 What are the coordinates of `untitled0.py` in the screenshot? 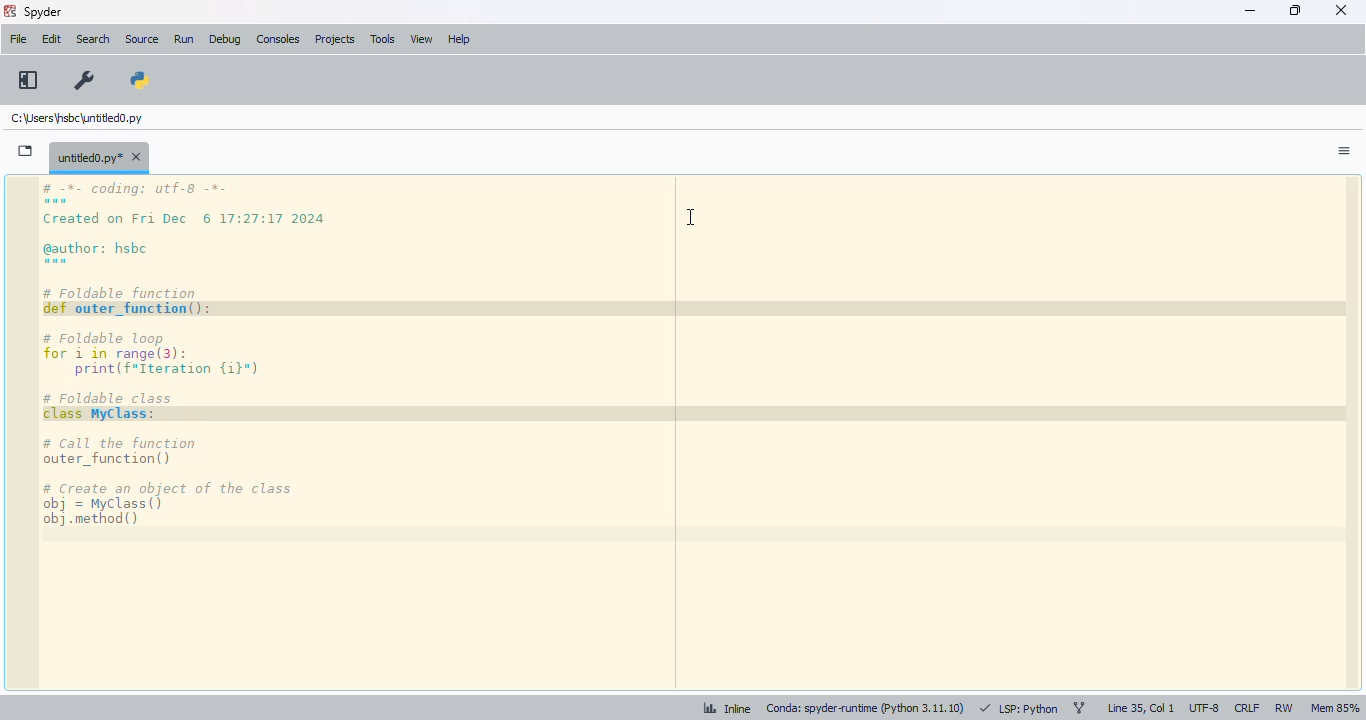 It's located at (77, 117).